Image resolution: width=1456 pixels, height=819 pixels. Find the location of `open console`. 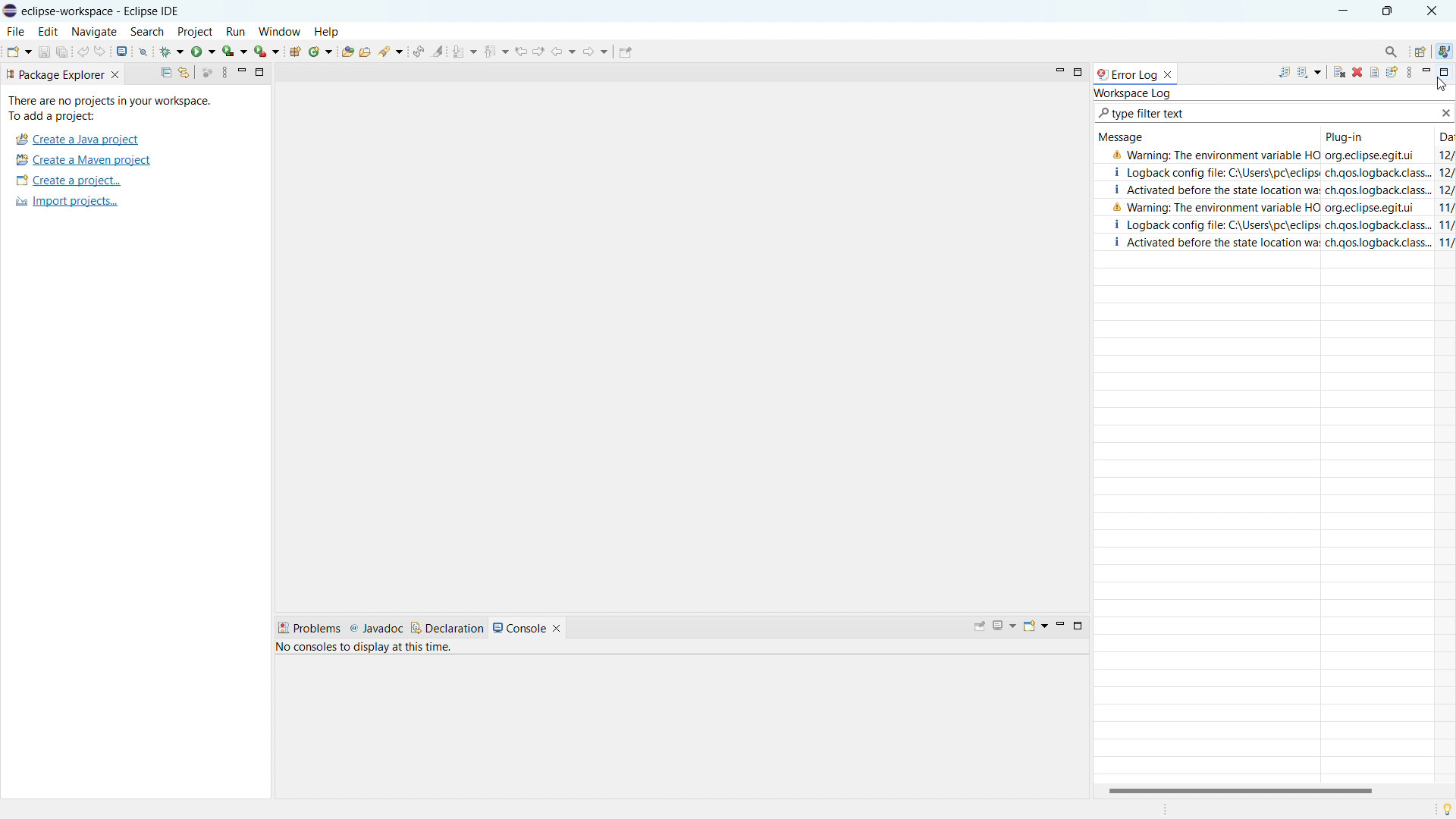

open console is located at coordinates (1037, 625).